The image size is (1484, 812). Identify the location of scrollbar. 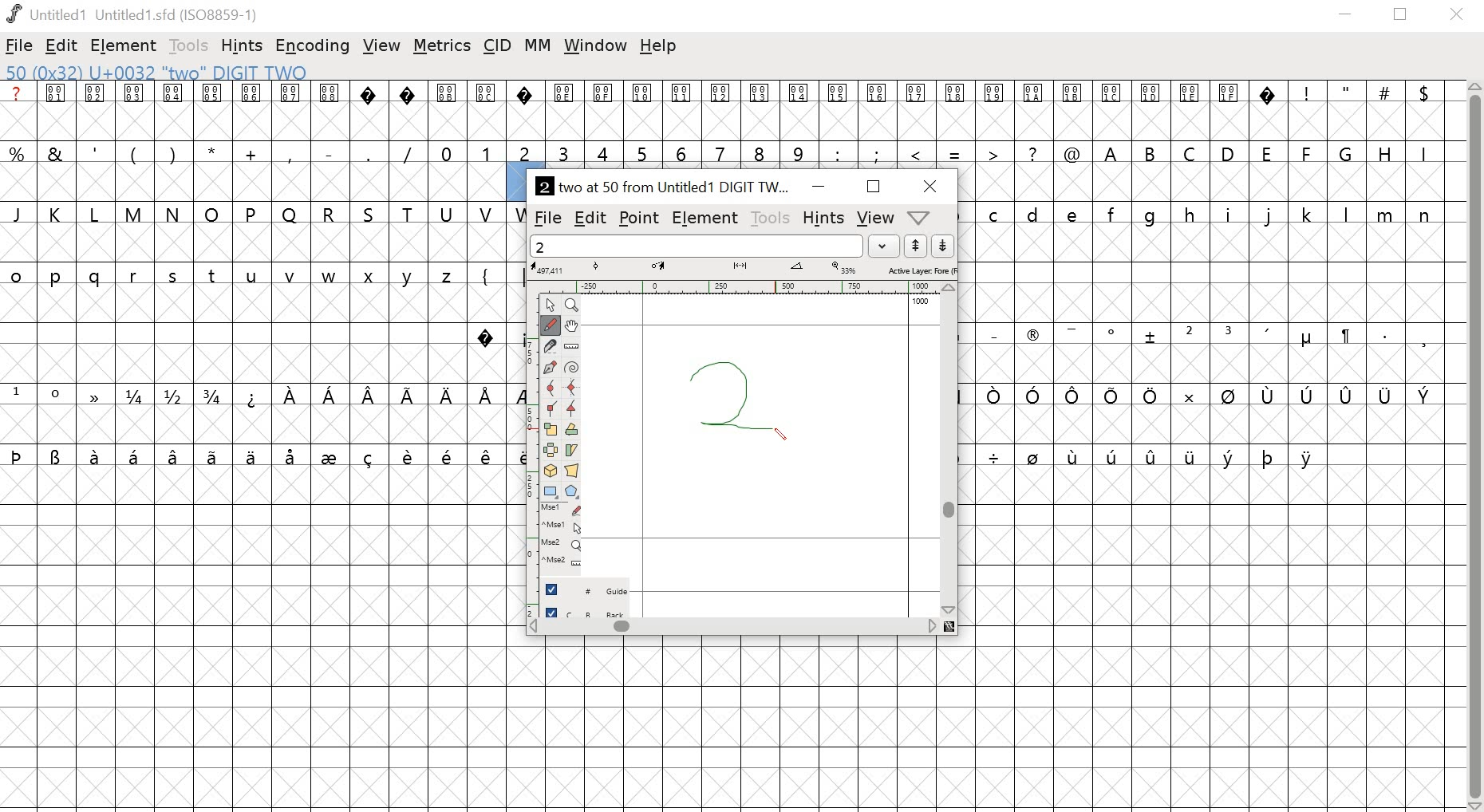
(948, 450).